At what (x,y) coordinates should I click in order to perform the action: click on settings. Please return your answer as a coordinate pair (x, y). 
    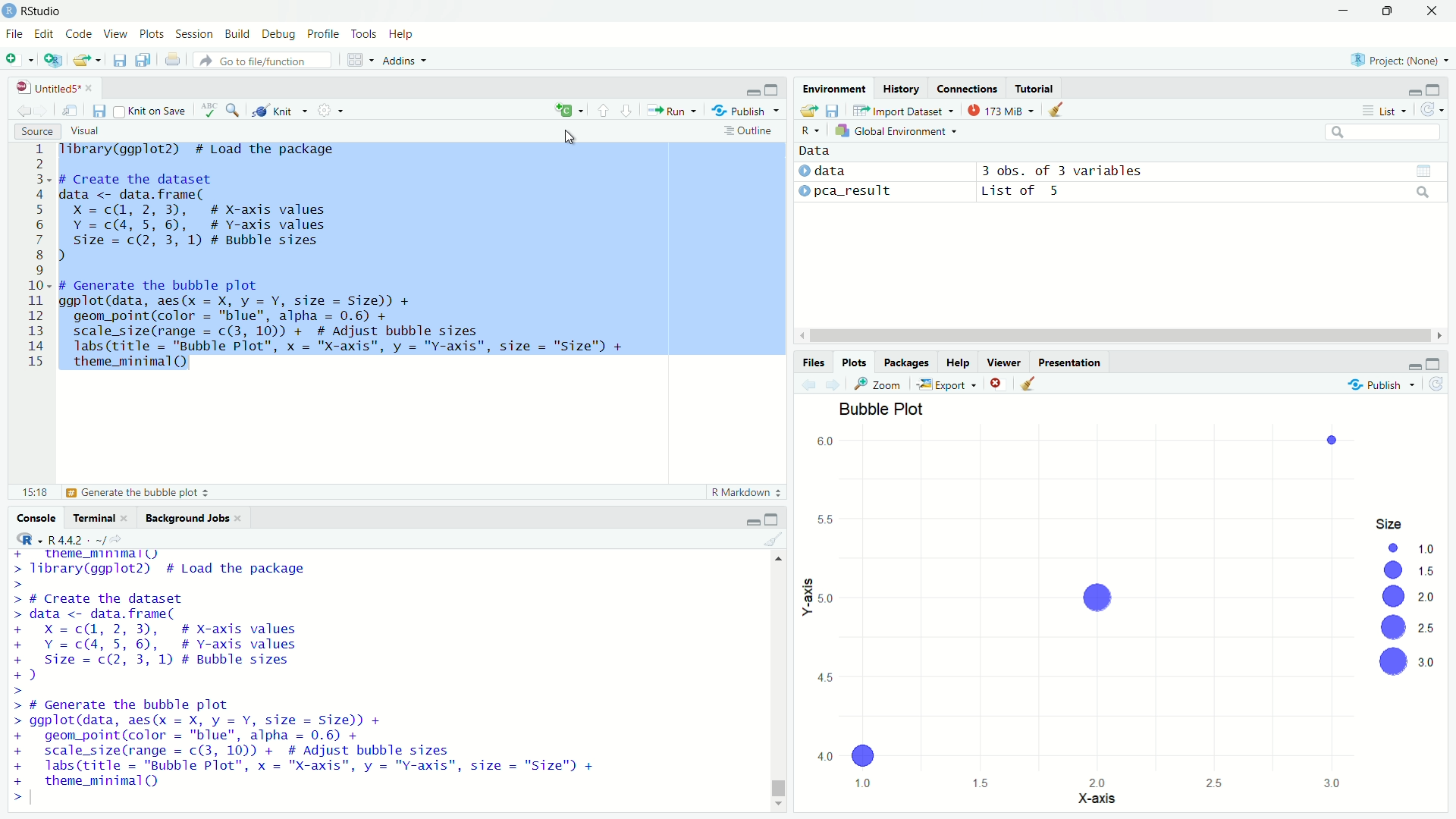
    Looking at the image, I should click on (330, 111).